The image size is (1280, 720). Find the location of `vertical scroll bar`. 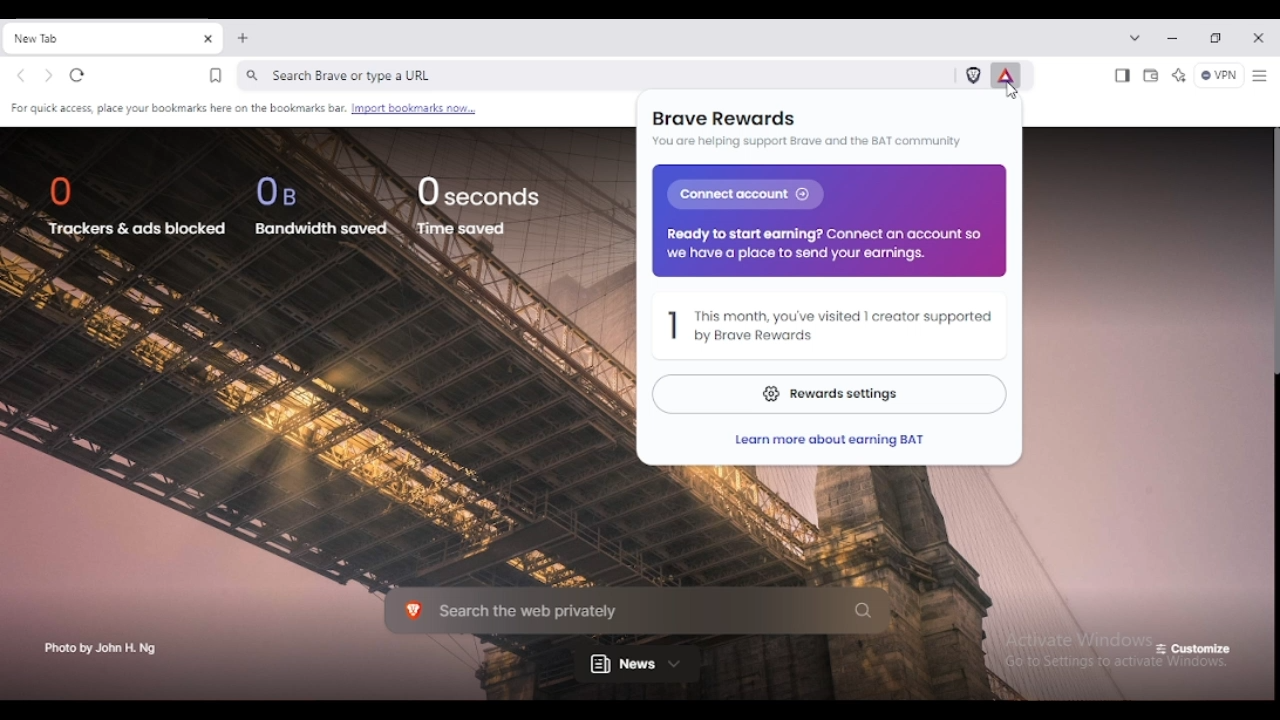

vertical scroll bar is located at coordinates (1272, 253).